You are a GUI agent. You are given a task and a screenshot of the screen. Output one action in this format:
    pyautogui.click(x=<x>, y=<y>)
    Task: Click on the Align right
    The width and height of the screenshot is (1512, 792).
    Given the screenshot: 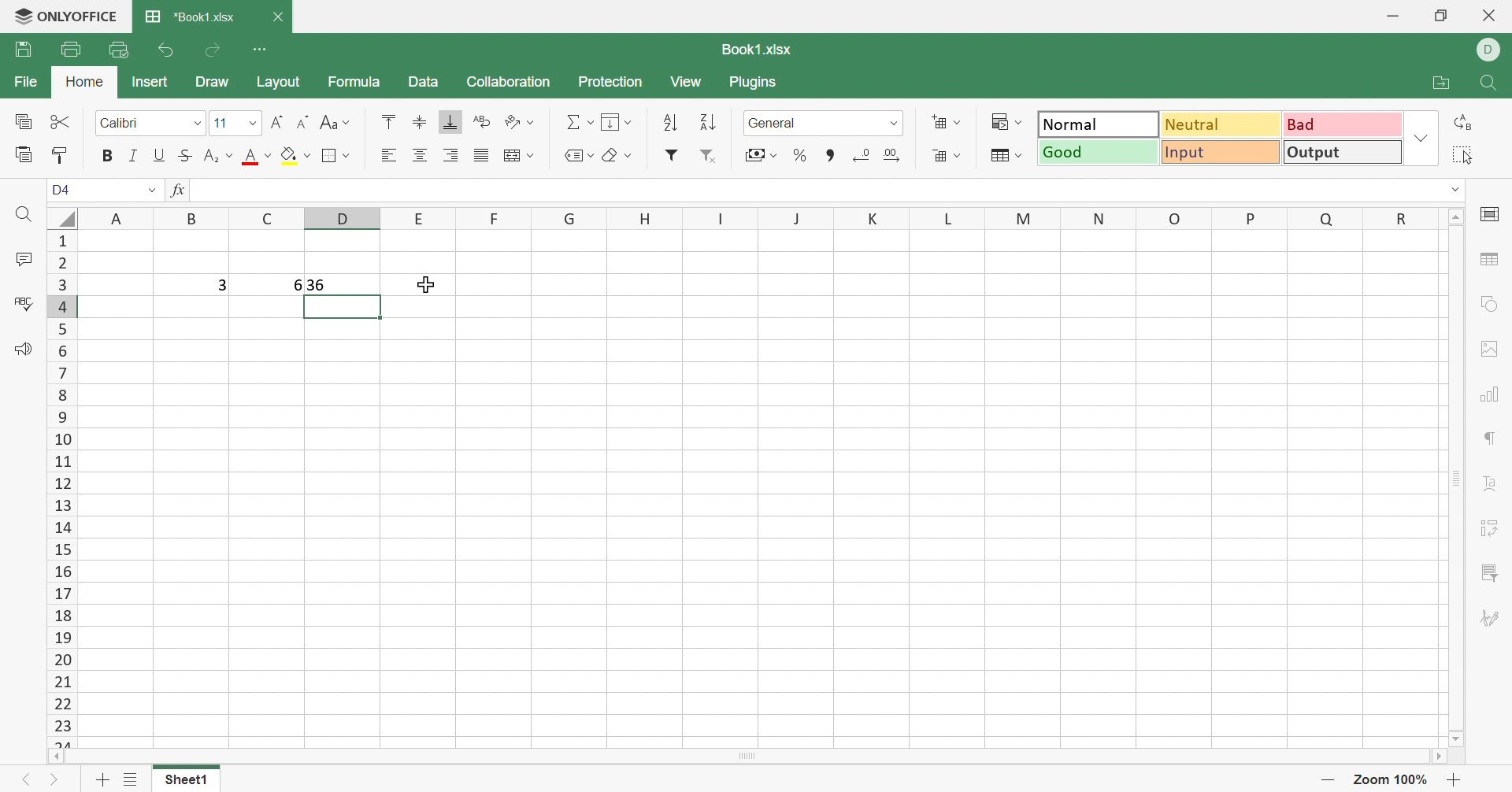 What is the action you would take?
    pyautogui.click(x=450, y=155)
    